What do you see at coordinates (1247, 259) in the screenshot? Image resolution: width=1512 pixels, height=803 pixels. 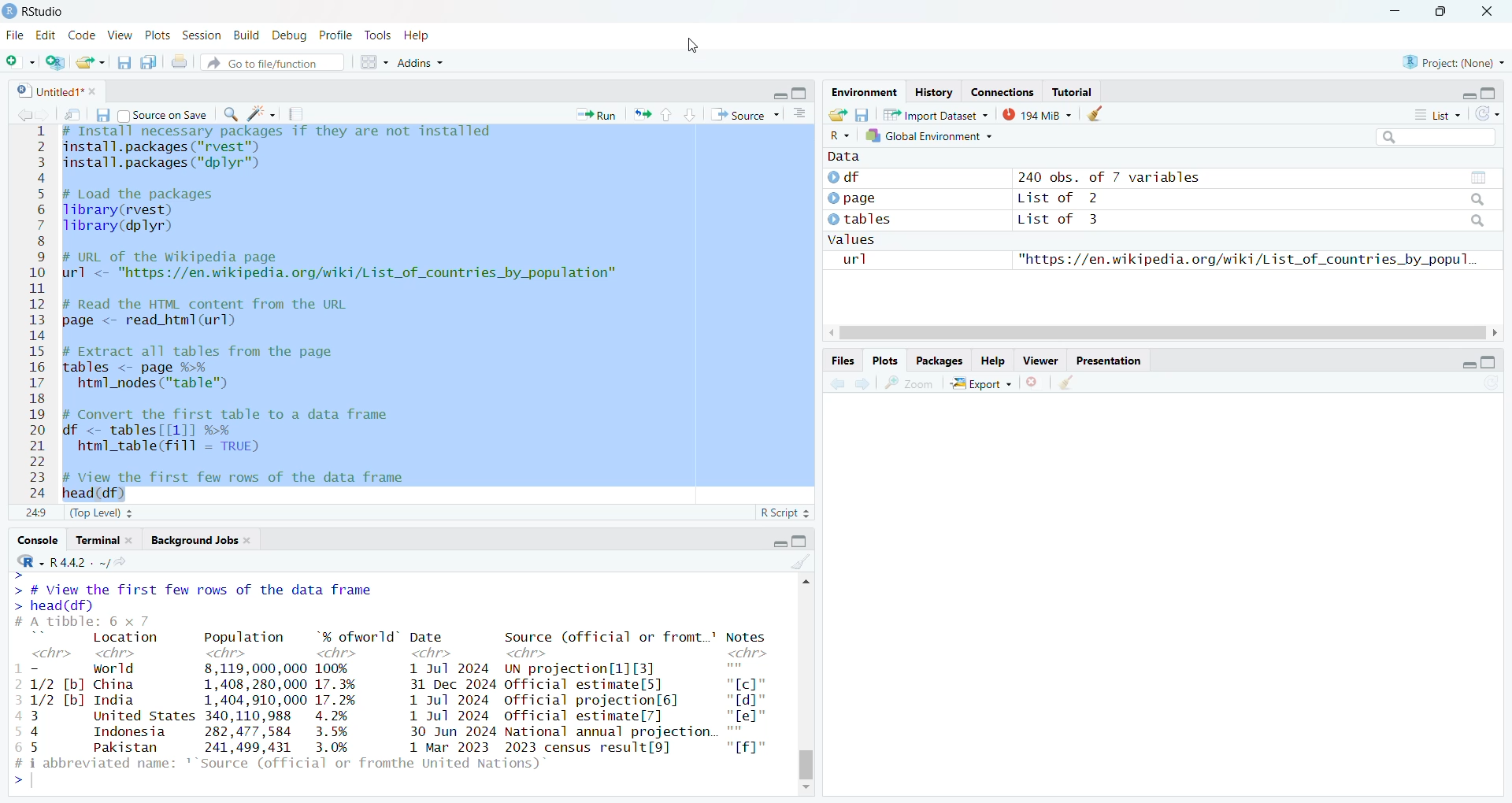 I see `"https ://en.wikipedia.org/wiki/List_of_countries_by_popul` at bounding box center [1247, 259].